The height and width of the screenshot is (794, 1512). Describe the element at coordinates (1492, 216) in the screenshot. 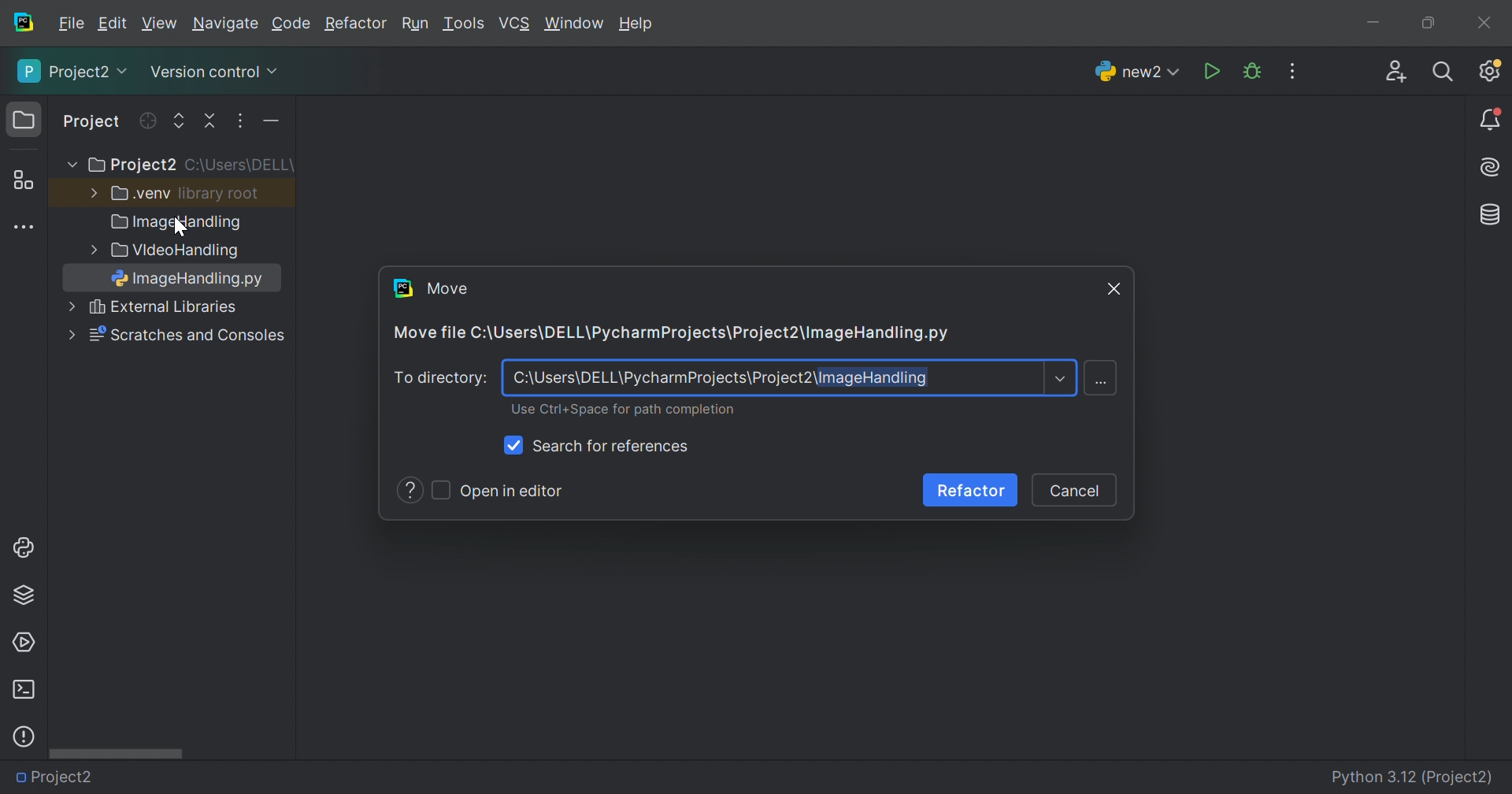

I see `Database` at that location.